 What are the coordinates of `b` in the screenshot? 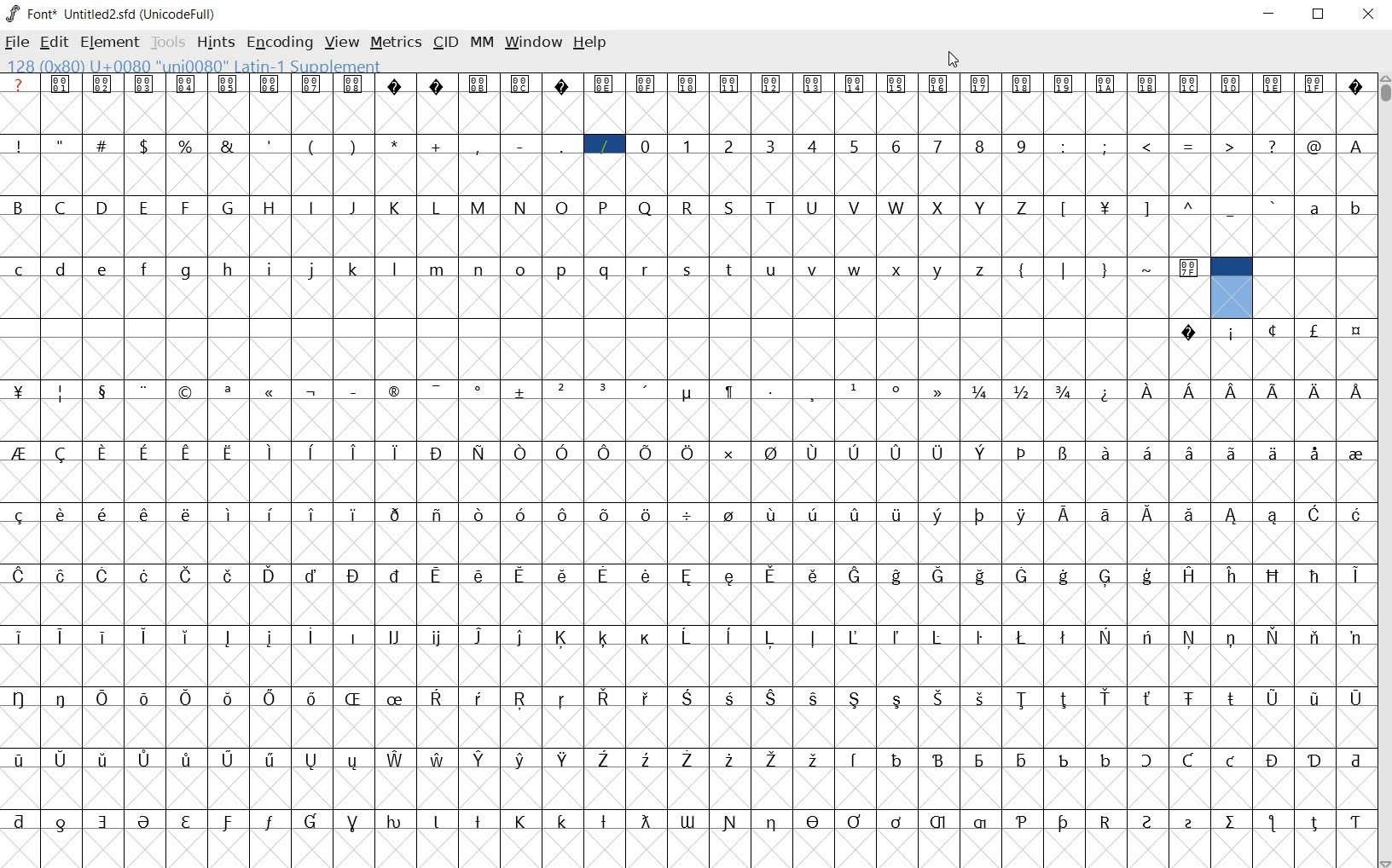 It's located at (1354, 207).